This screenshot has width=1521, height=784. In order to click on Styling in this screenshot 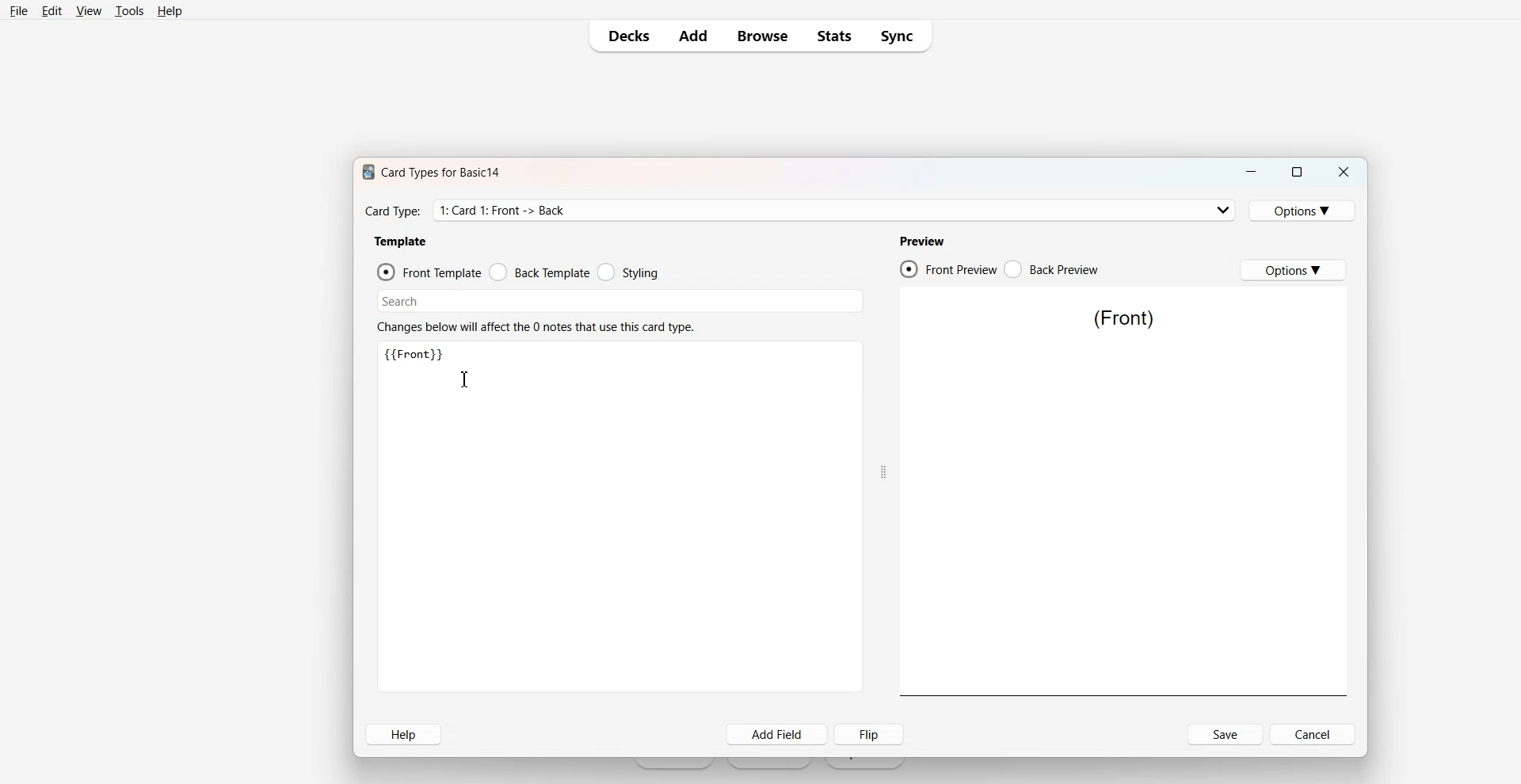, I will do `click(629, 271)`.